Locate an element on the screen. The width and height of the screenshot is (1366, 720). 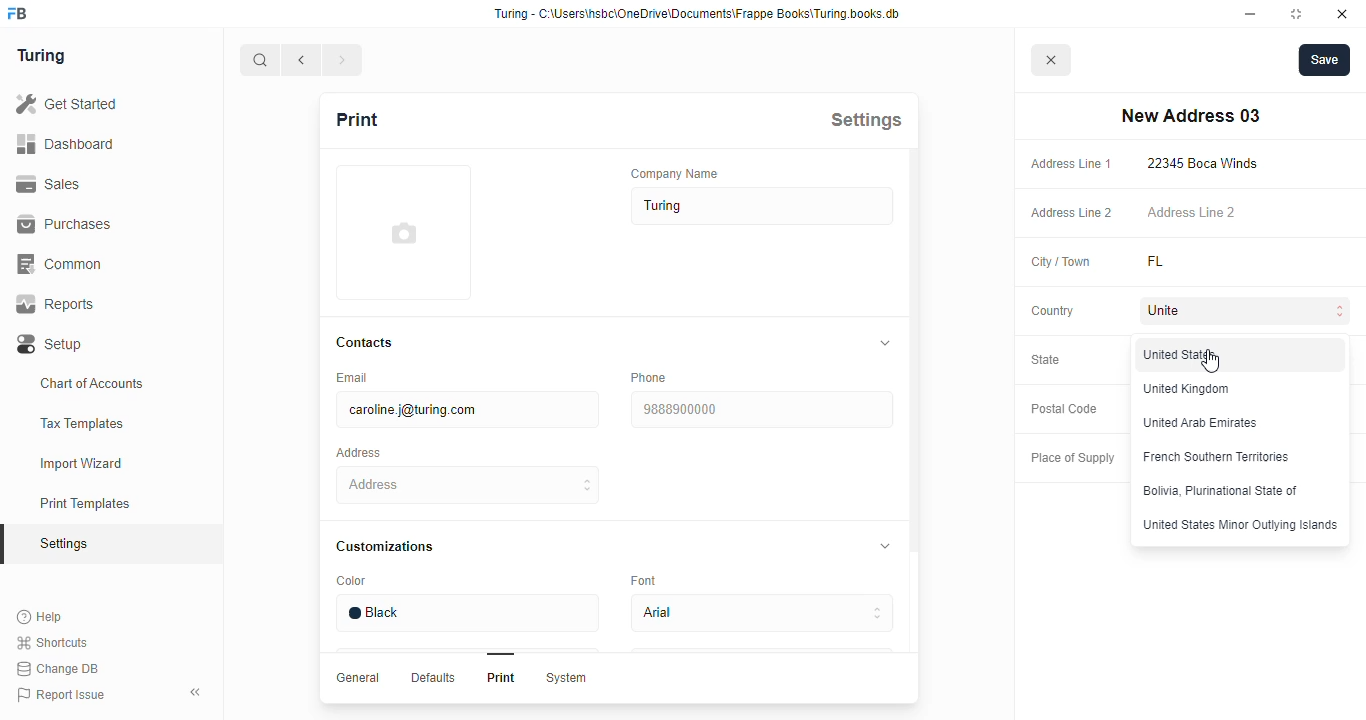
united states is located at coordinates (1183, 355).